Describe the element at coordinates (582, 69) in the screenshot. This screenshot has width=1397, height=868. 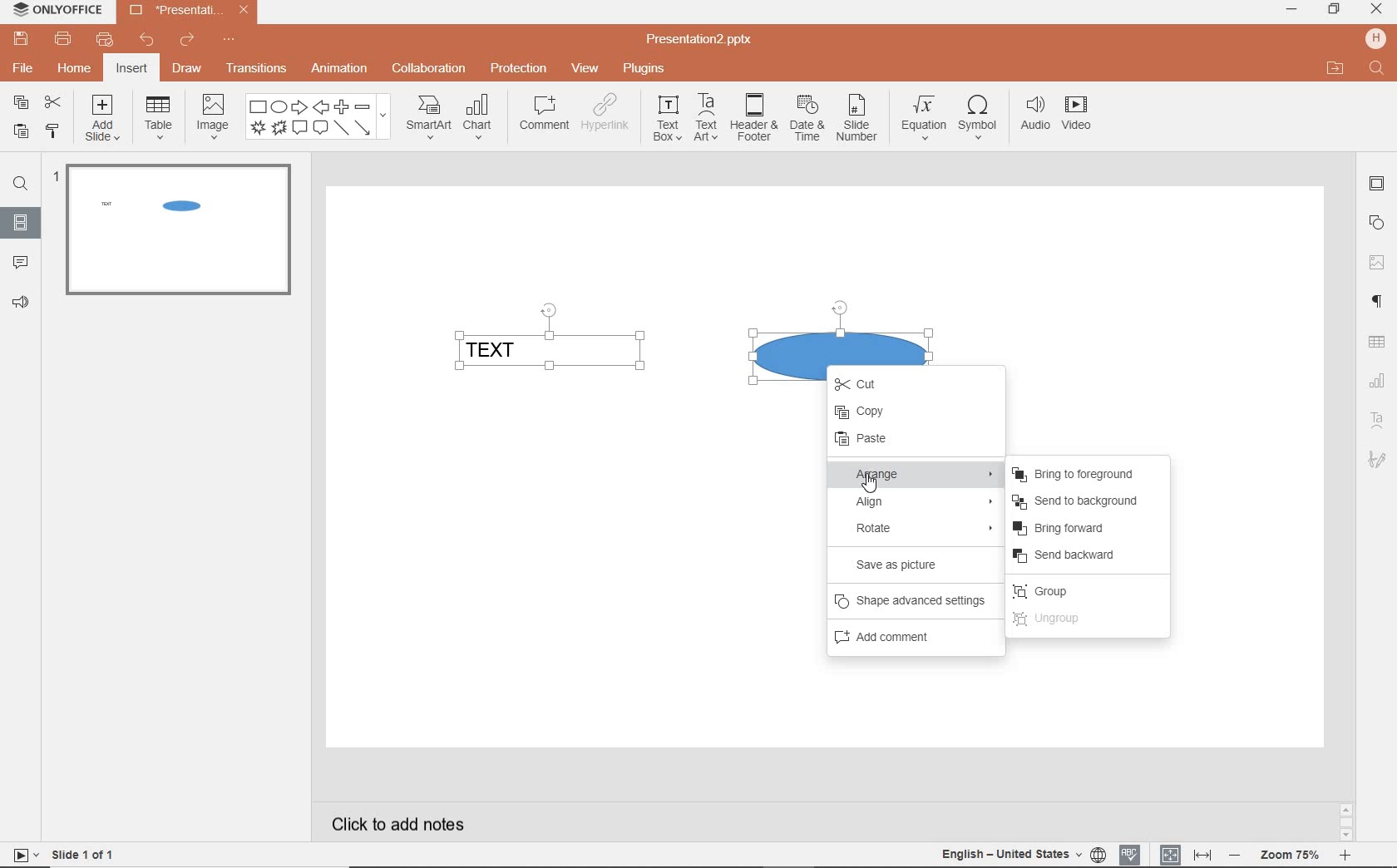
I see `view` at that location.